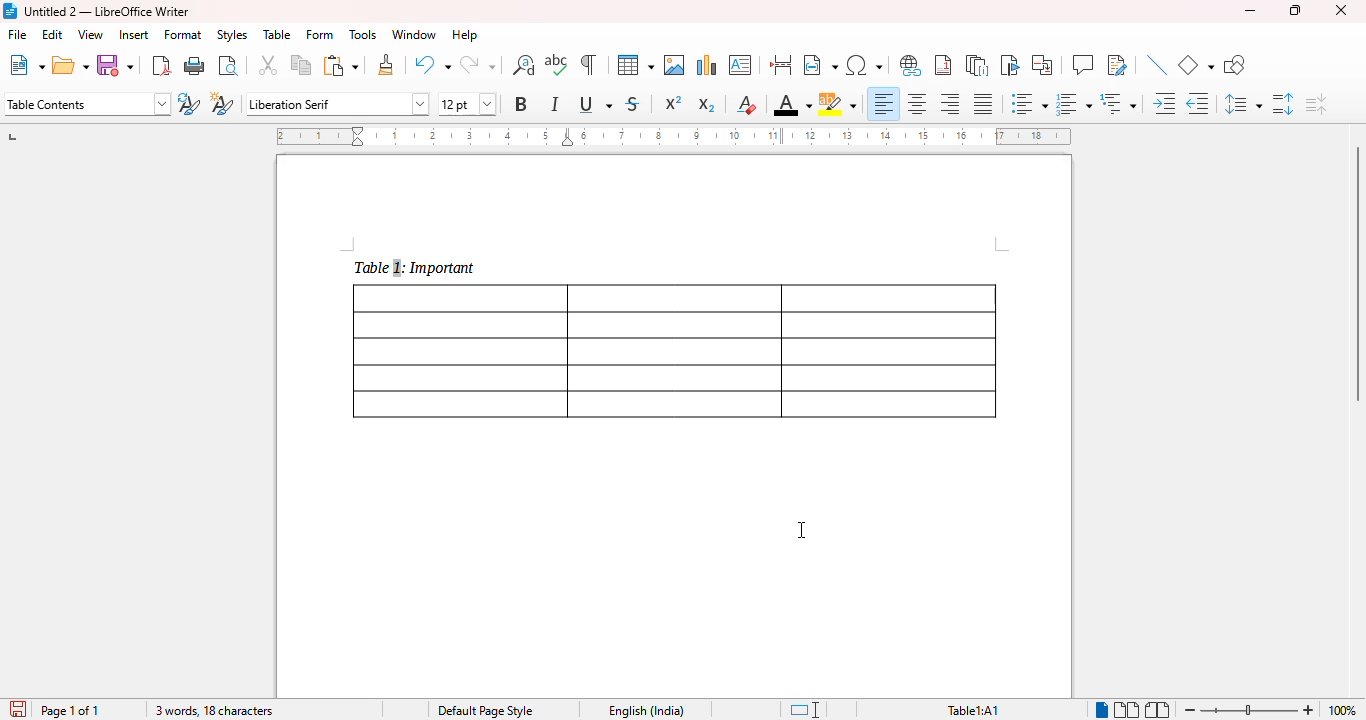 The width and height of the screenshot is (1366, 720). What do you see at coordinates (747, 104) in the screenshot?
I see `clear direct formatting` at bounding box center [747, 104].